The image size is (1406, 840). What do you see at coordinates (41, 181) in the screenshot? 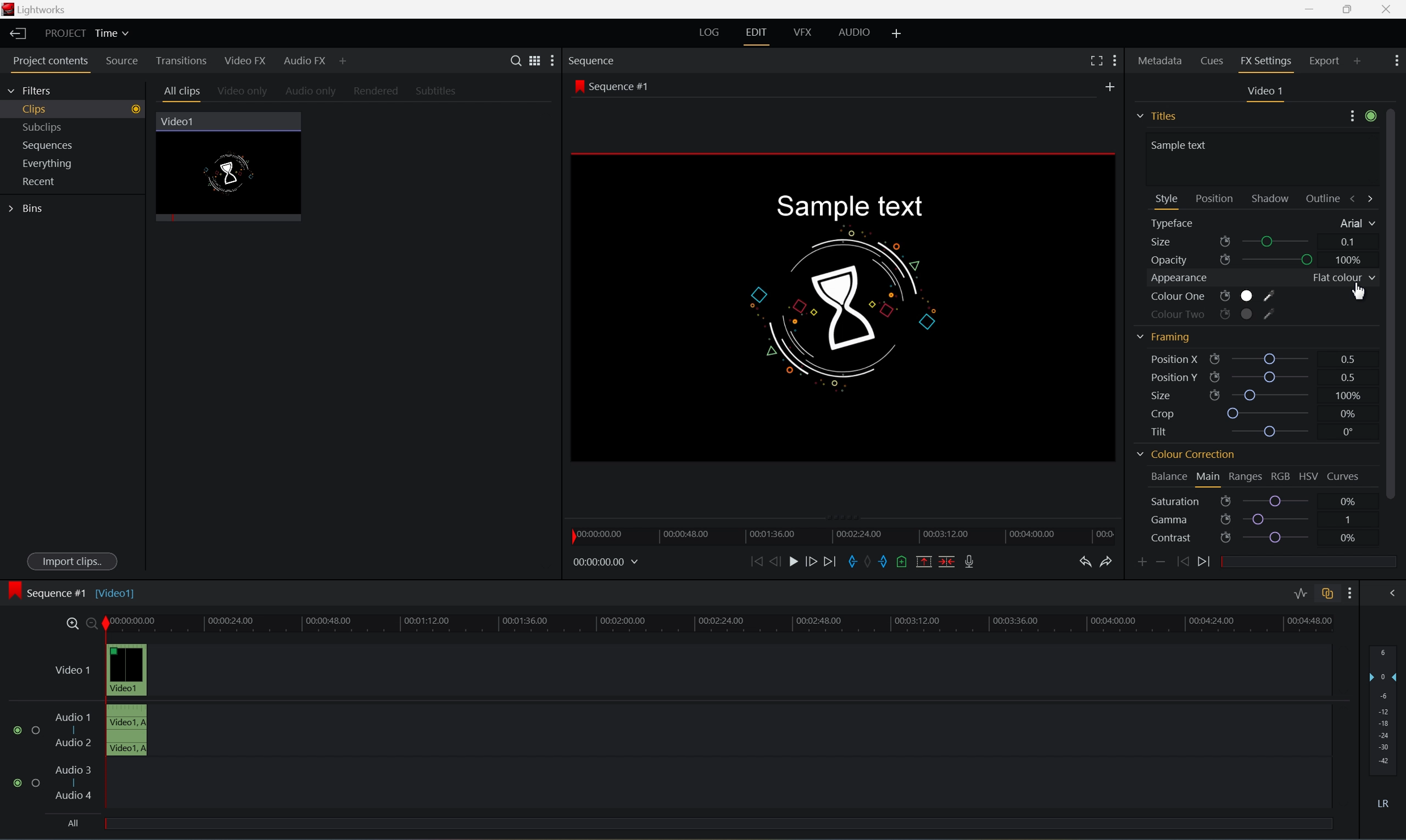
I see `Recent` at bounding box center [41, 181].